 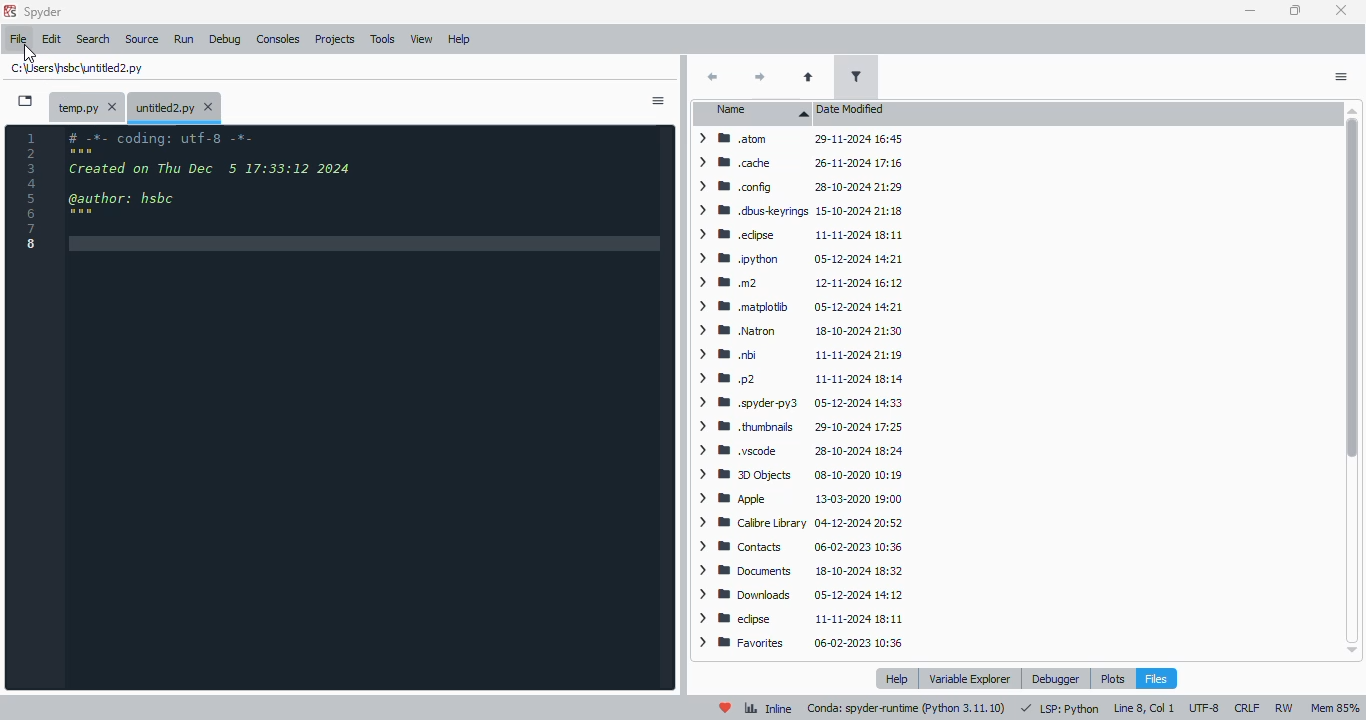 I want to click on > BW matplotib 05-12-2024 14:21, so click(x=797, y=306).